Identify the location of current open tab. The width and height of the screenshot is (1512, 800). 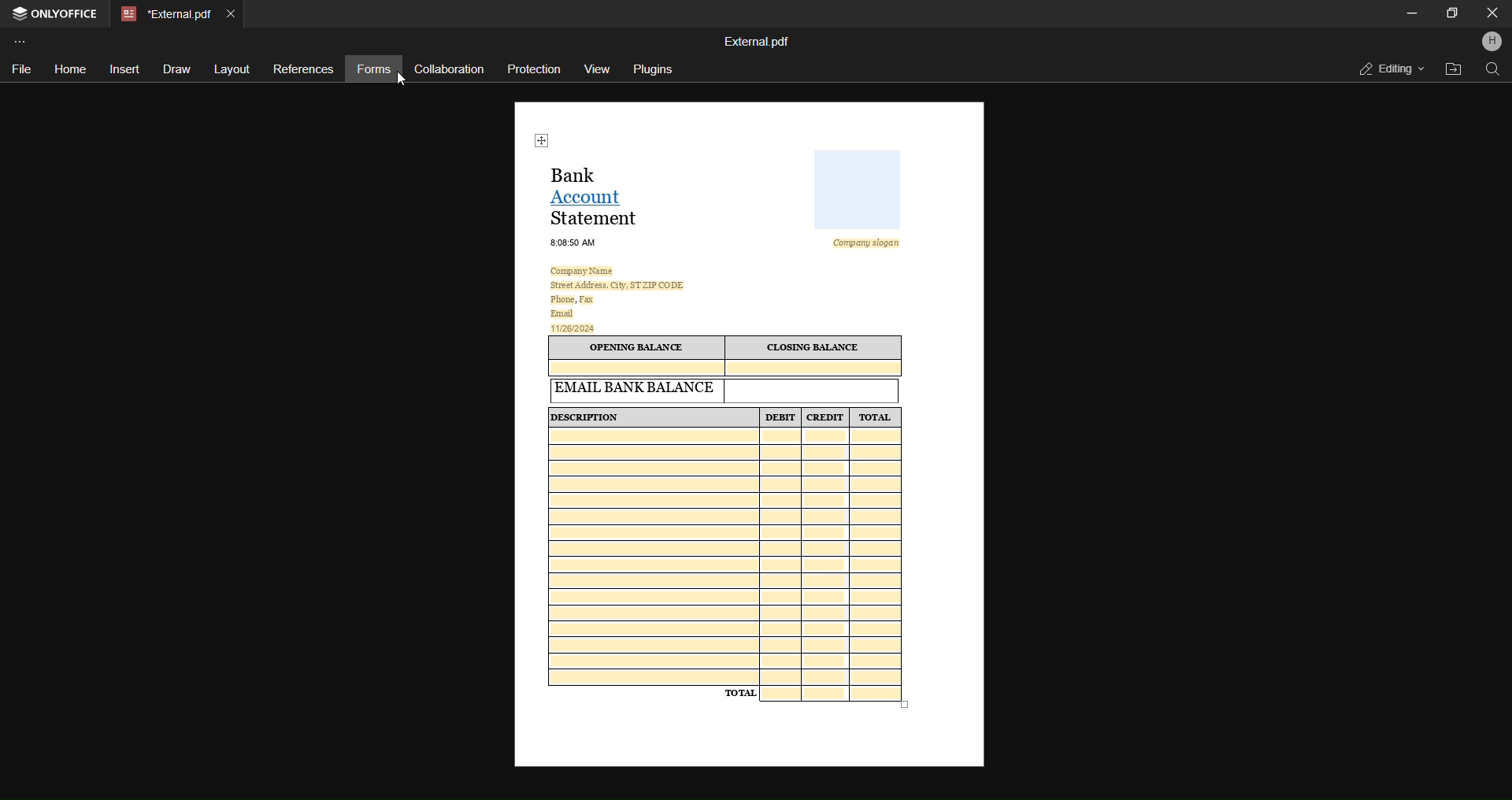
(165, 15).